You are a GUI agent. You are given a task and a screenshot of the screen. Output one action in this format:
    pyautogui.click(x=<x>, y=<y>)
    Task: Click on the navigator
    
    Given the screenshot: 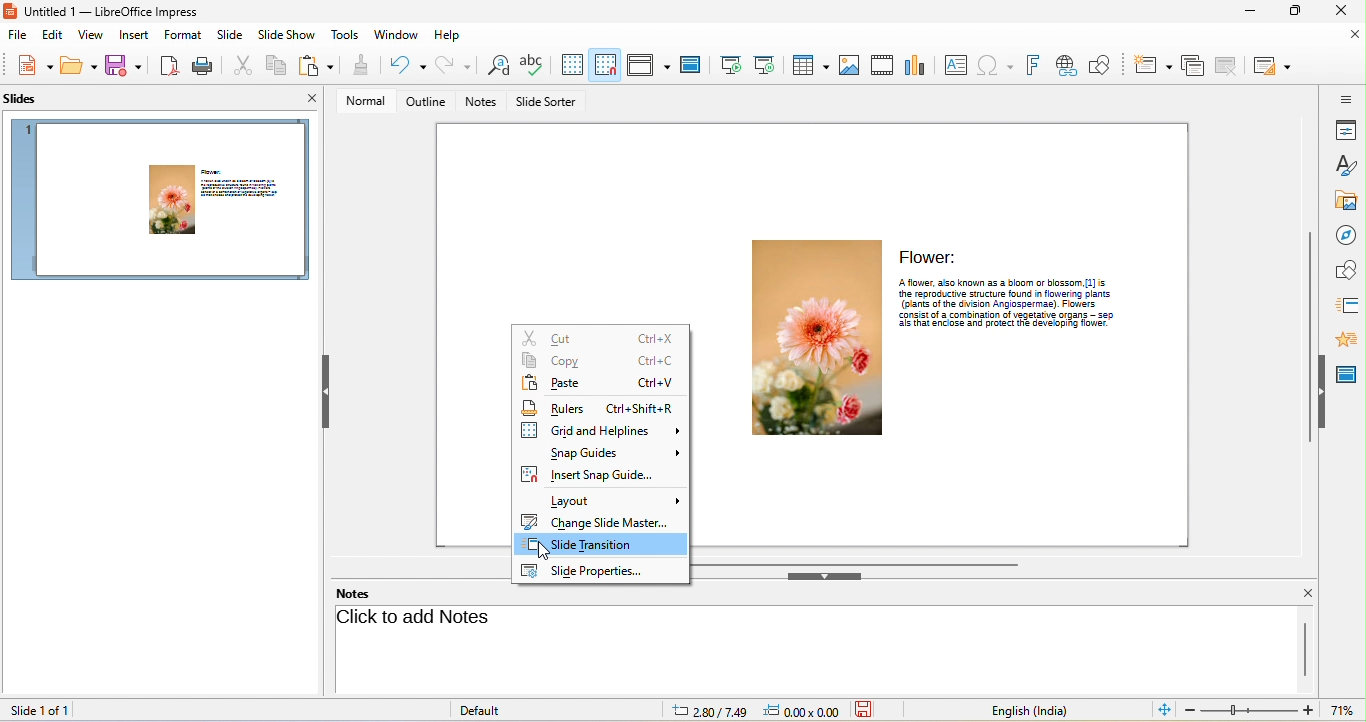 What is the action you would take?
    pyautogui.click(x=1348, y=232)
    